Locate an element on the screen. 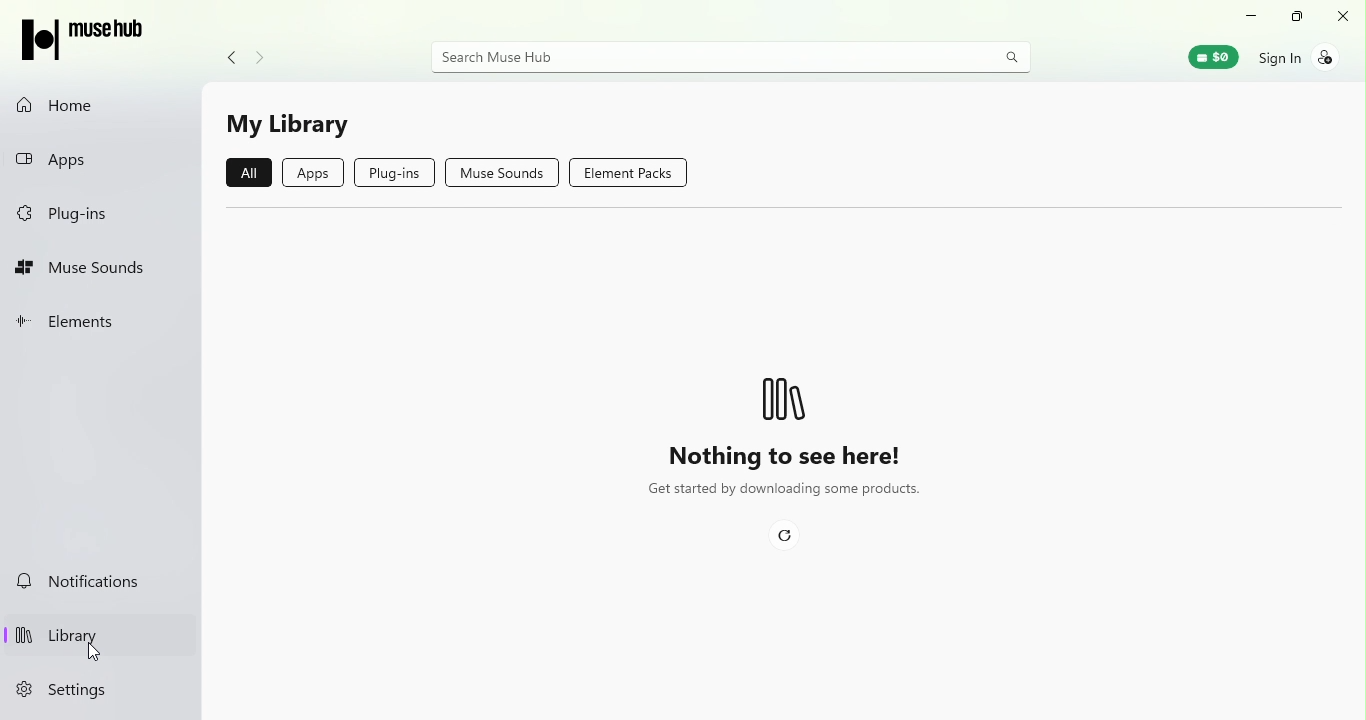 This screenshot has height=720, width=1366. Search bar is located at coordinates (734, 59).